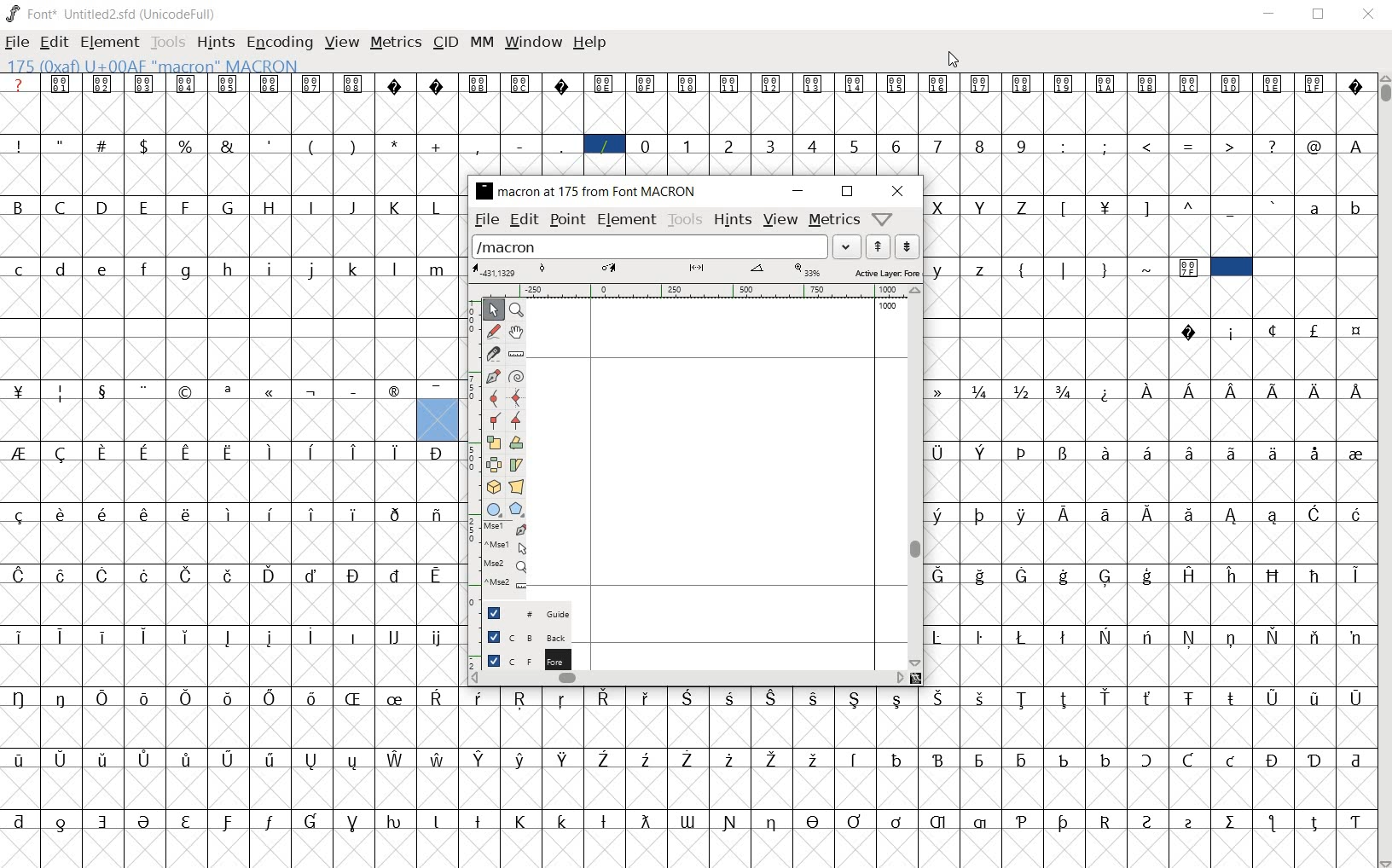 The height and width of the screenshot is (868, 1392). Describe the element at coordinates (1315, 574) in the screenshot. I see `Symbol` at that location.